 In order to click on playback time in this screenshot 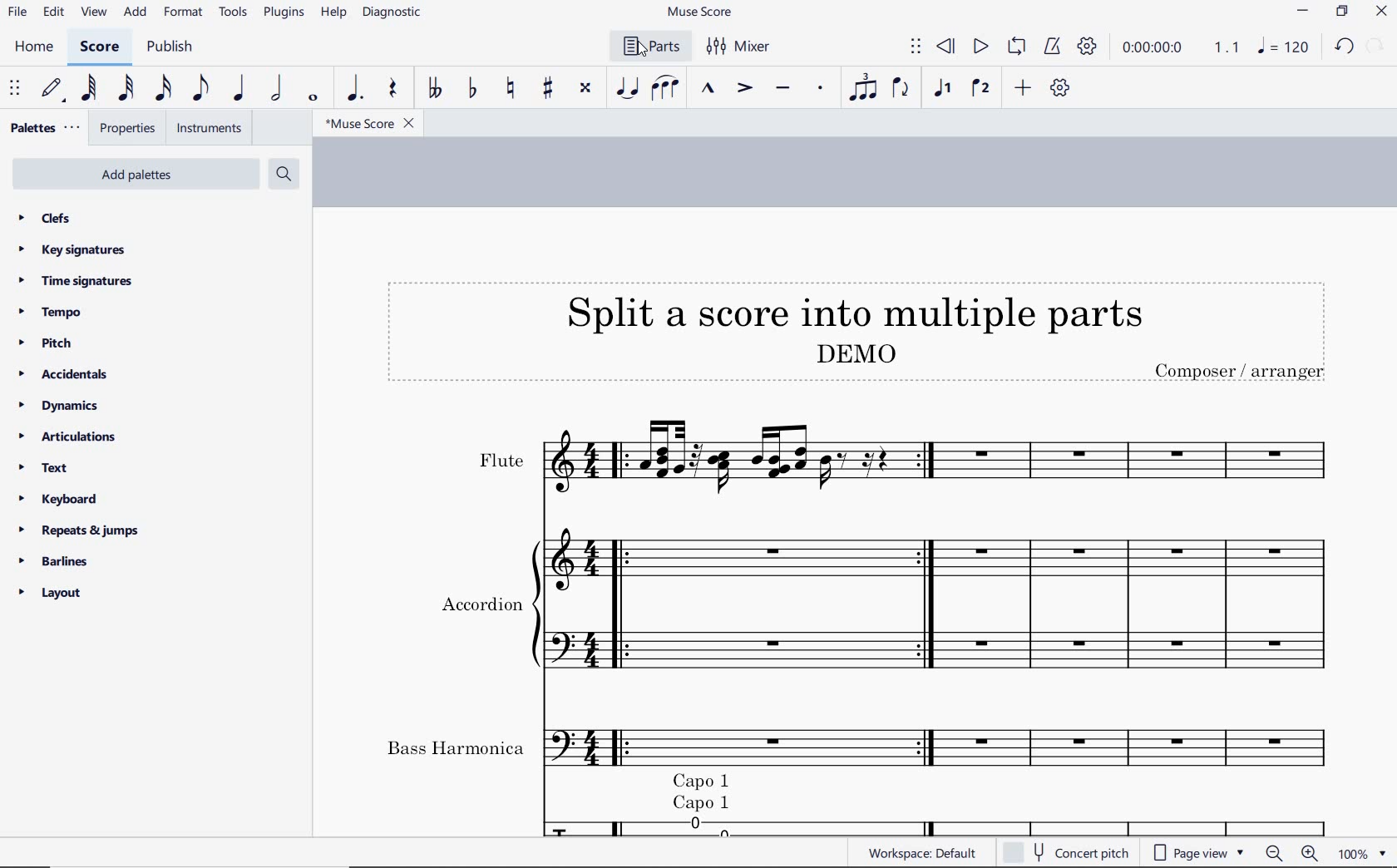, I will do `click(1153, 49)`.